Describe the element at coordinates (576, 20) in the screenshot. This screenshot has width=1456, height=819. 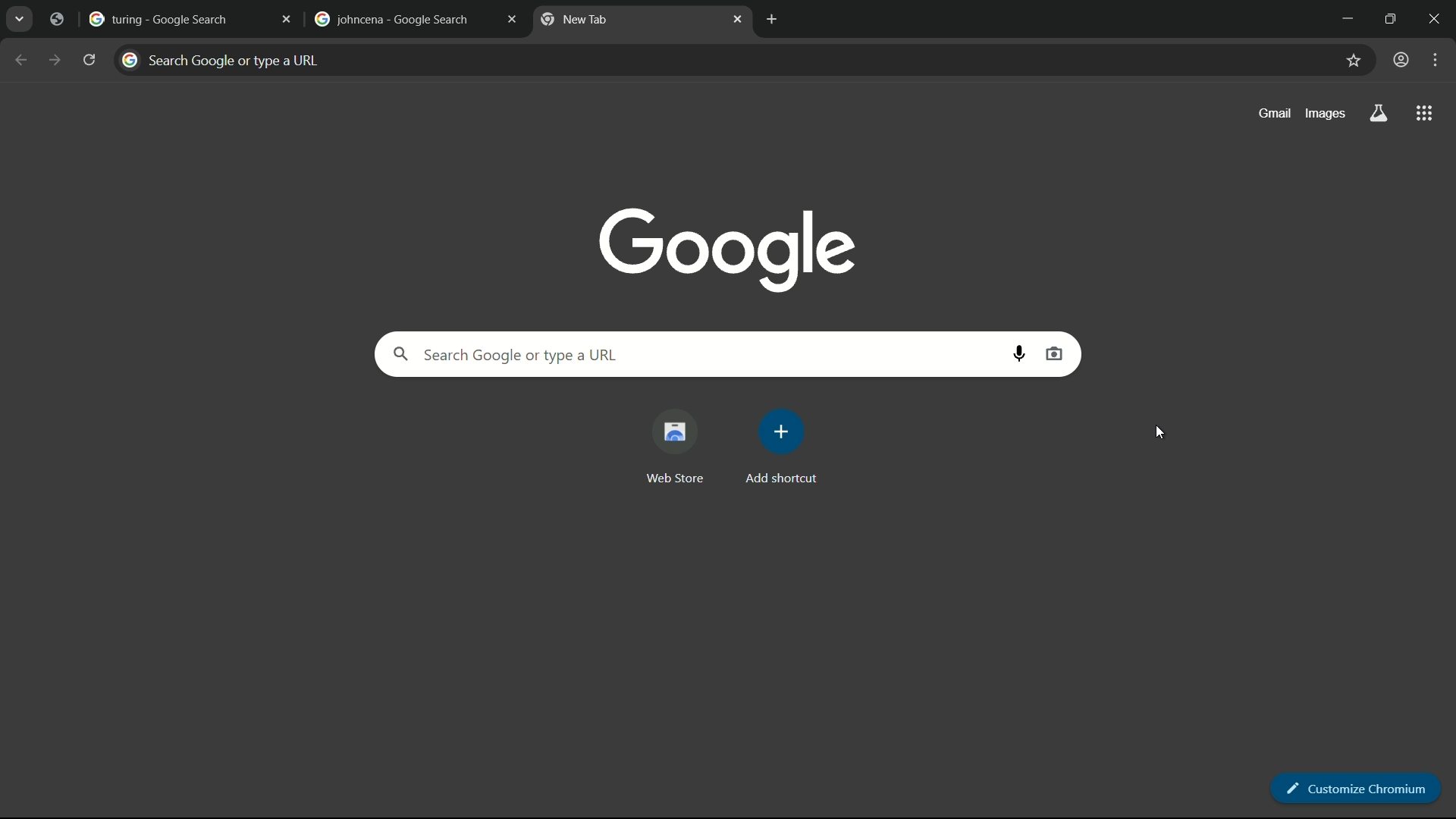
I see `new tab restored` at that location.